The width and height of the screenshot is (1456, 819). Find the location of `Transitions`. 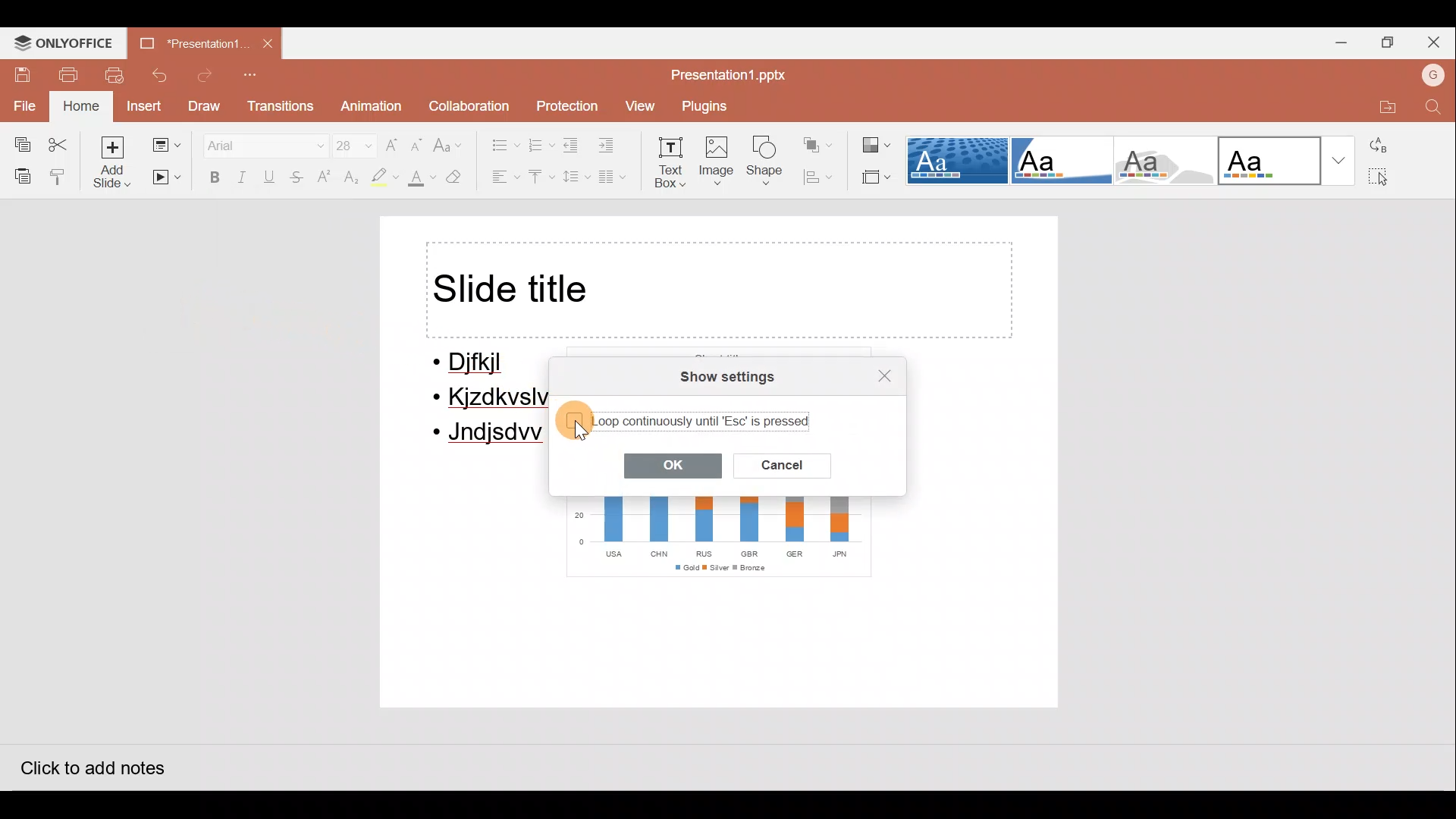

Transitions is located at coordinates (281, 106).